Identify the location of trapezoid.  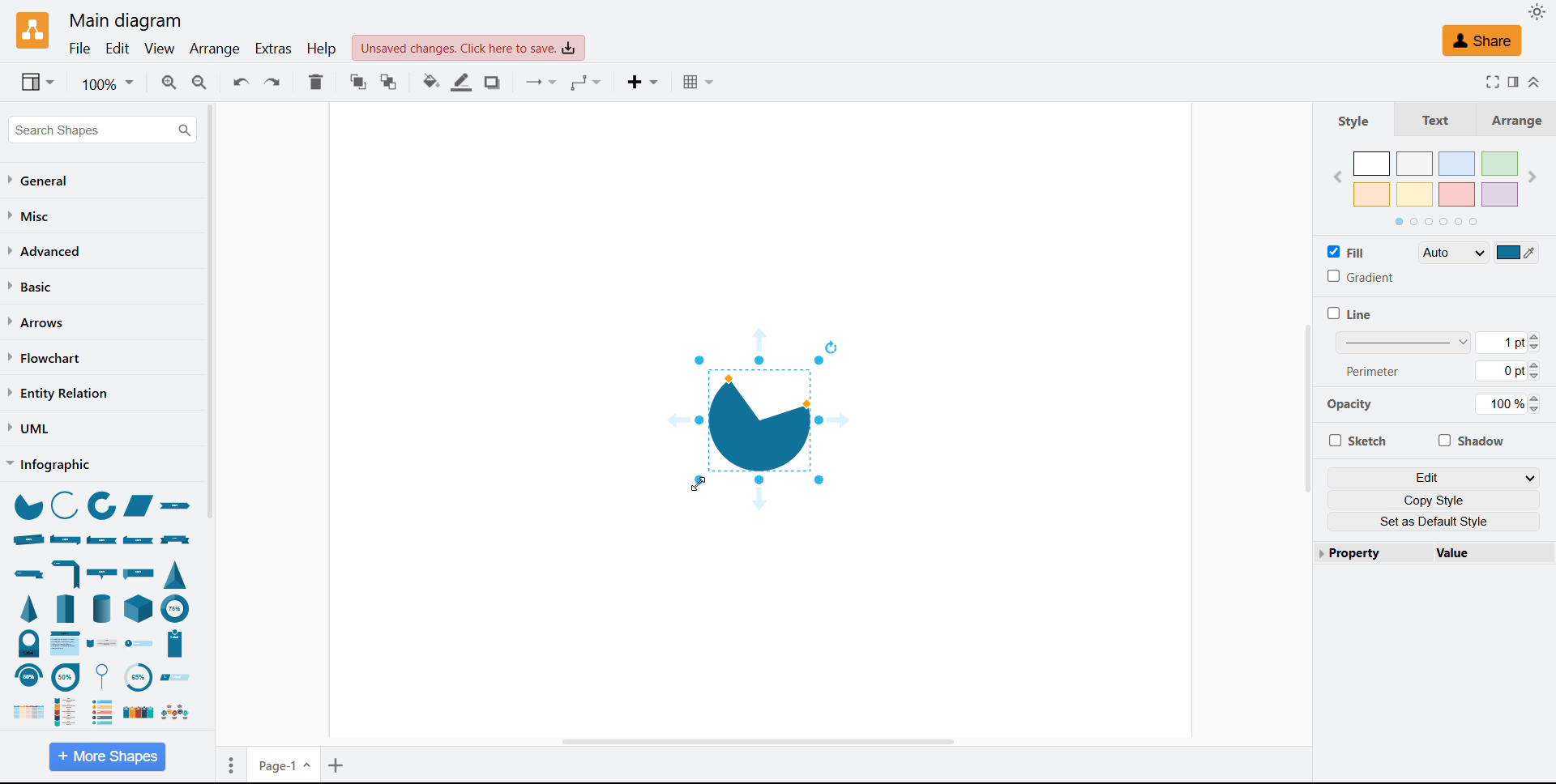
(139, 506).